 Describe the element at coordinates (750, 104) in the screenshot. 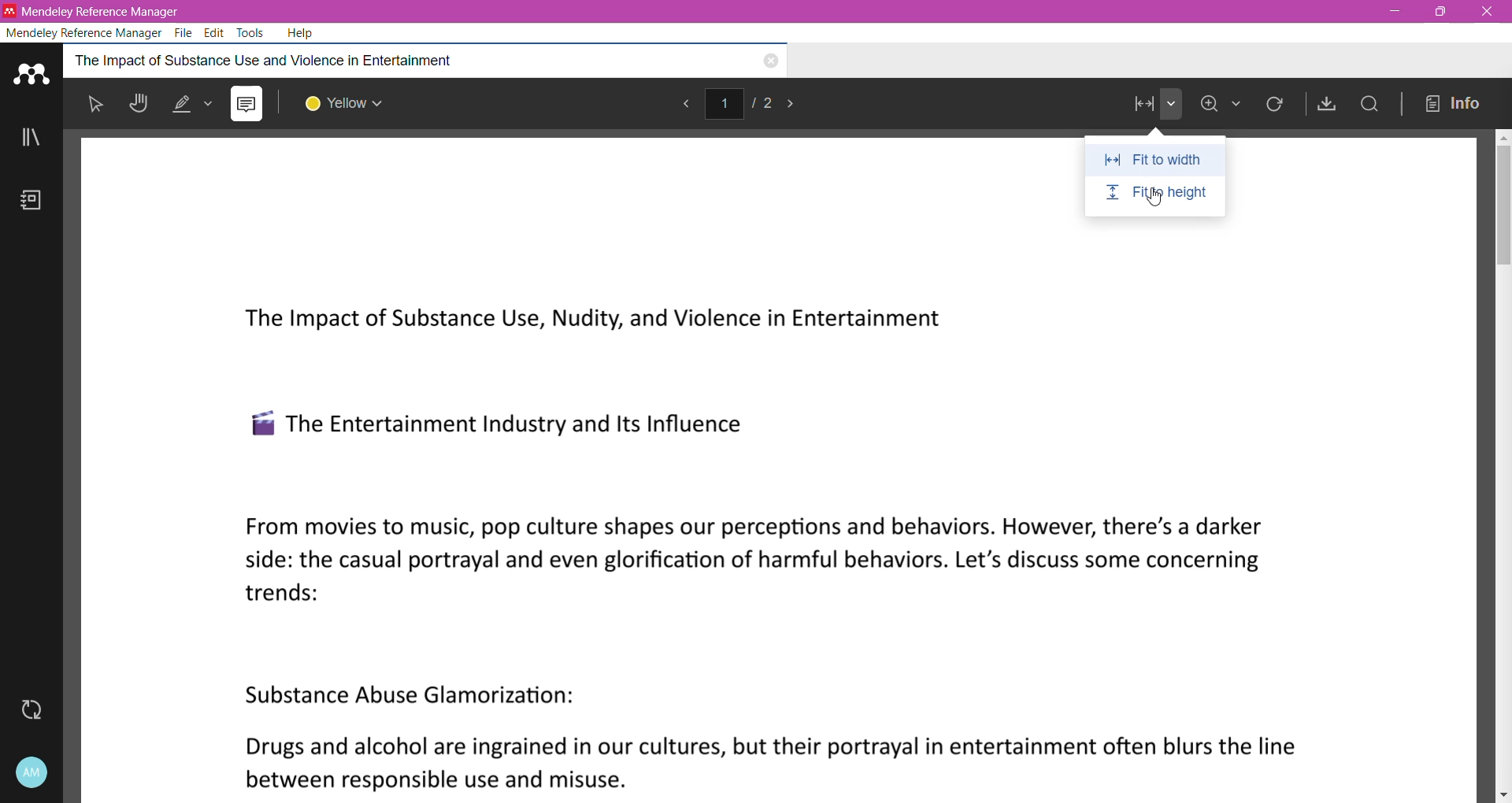

I see `Current Page/Total Number of Pages` at that location.